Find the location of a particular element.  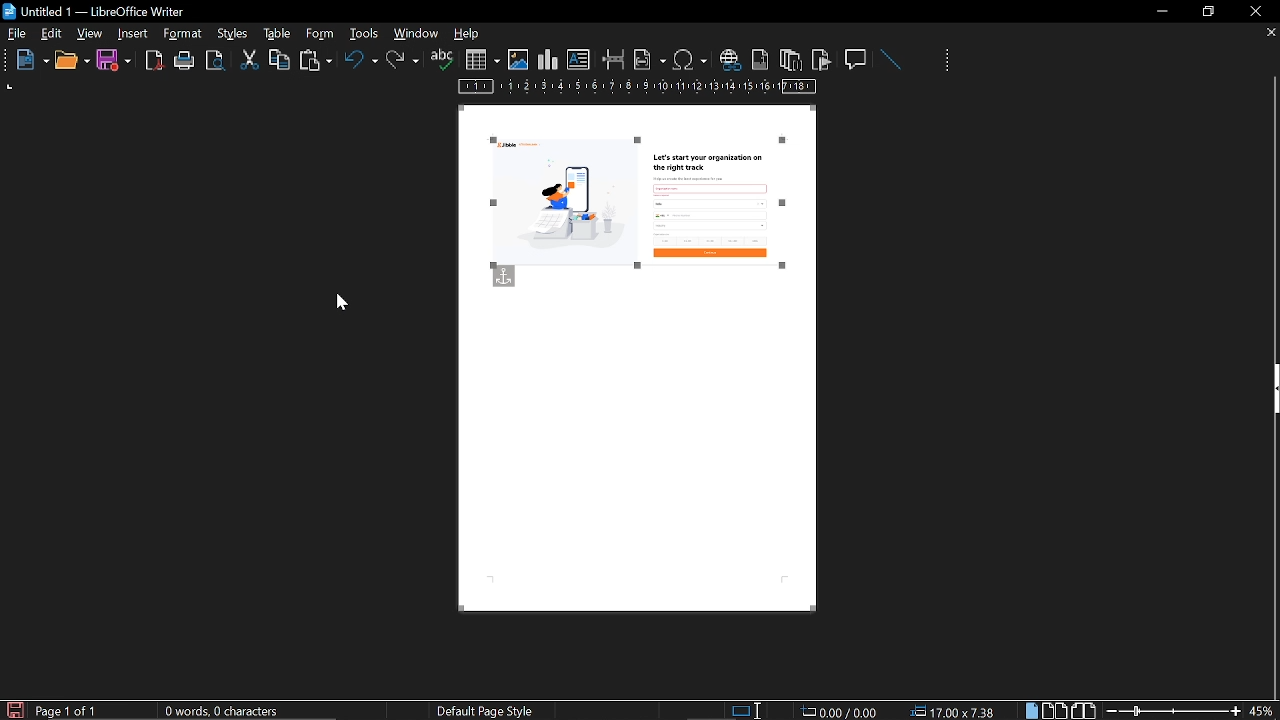

insert image is located at coordinates (518, 60).